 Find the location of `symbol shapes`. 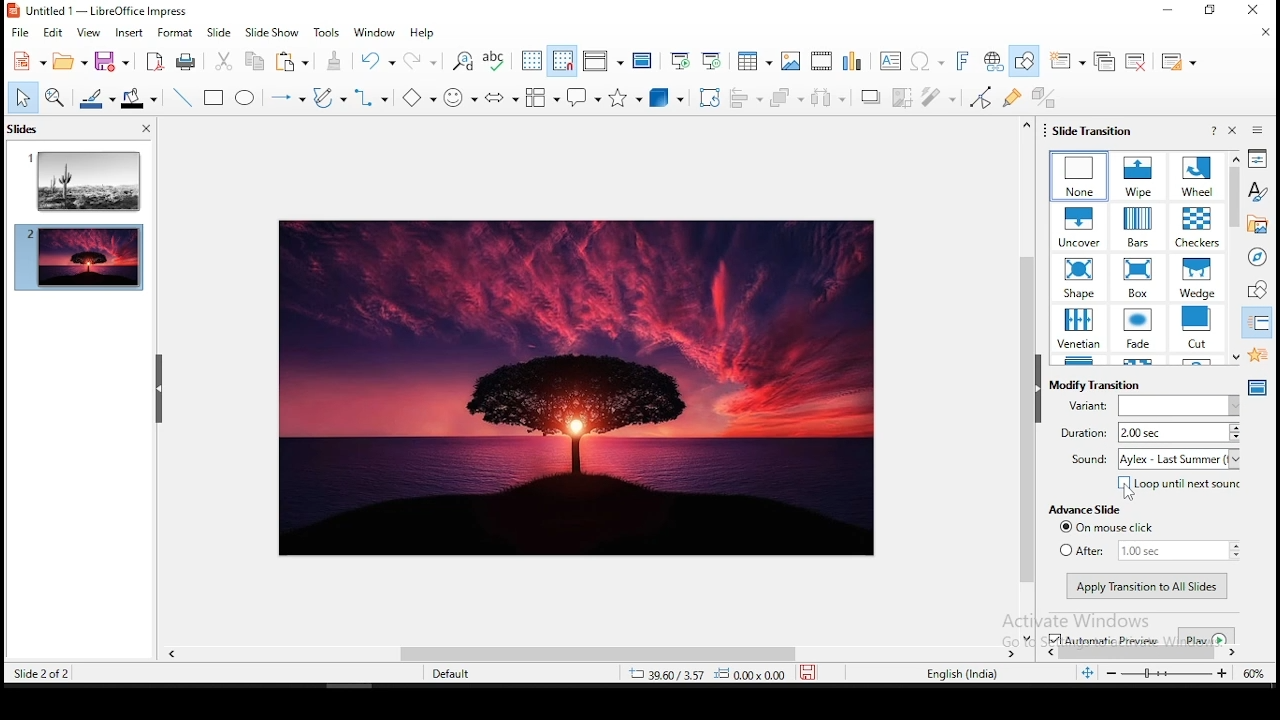

symbol shapes is located at coordinates (459, 99).